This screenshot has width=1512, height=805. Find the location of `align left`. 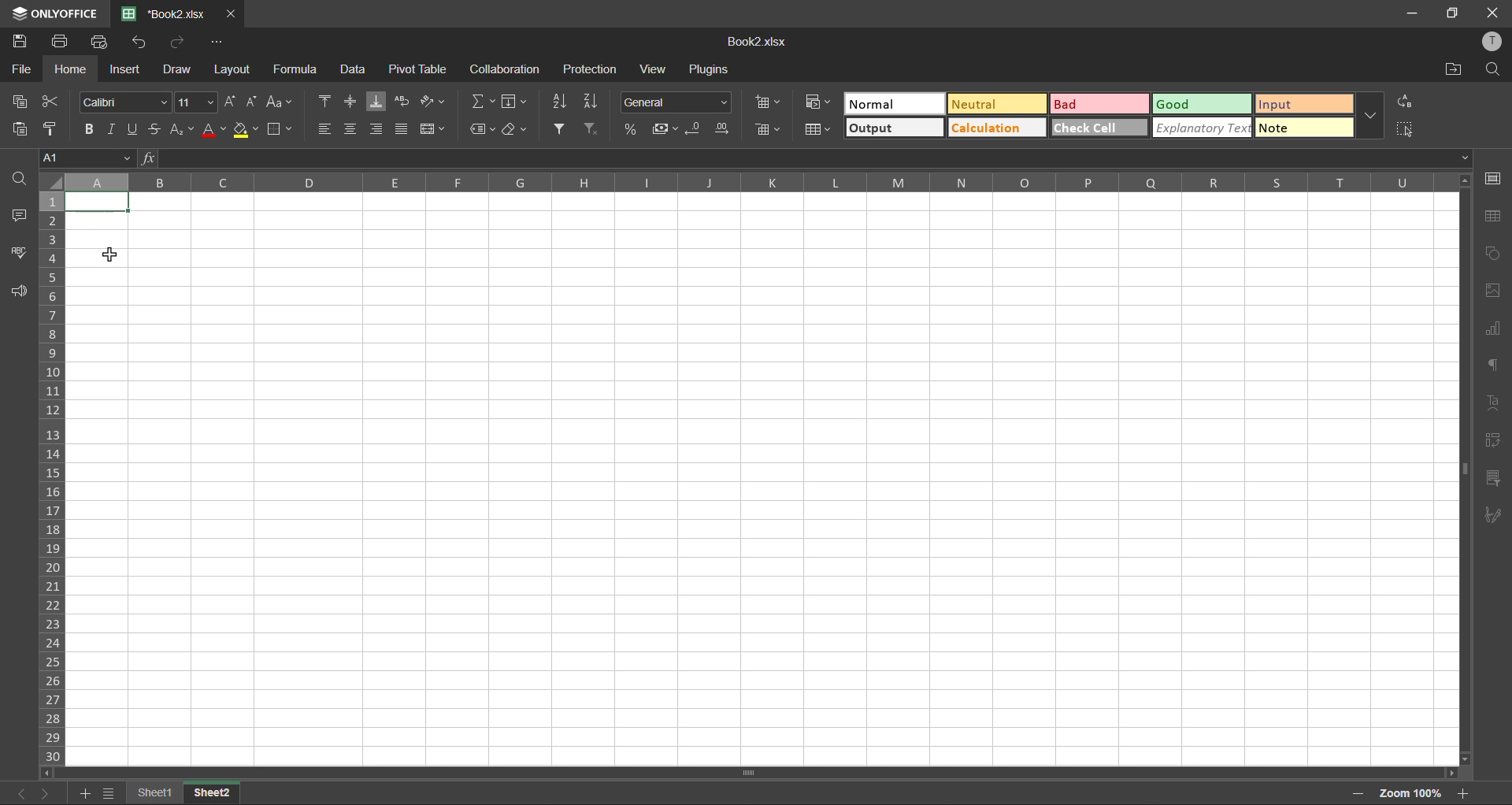

align left is located at coordinates (325, 129).